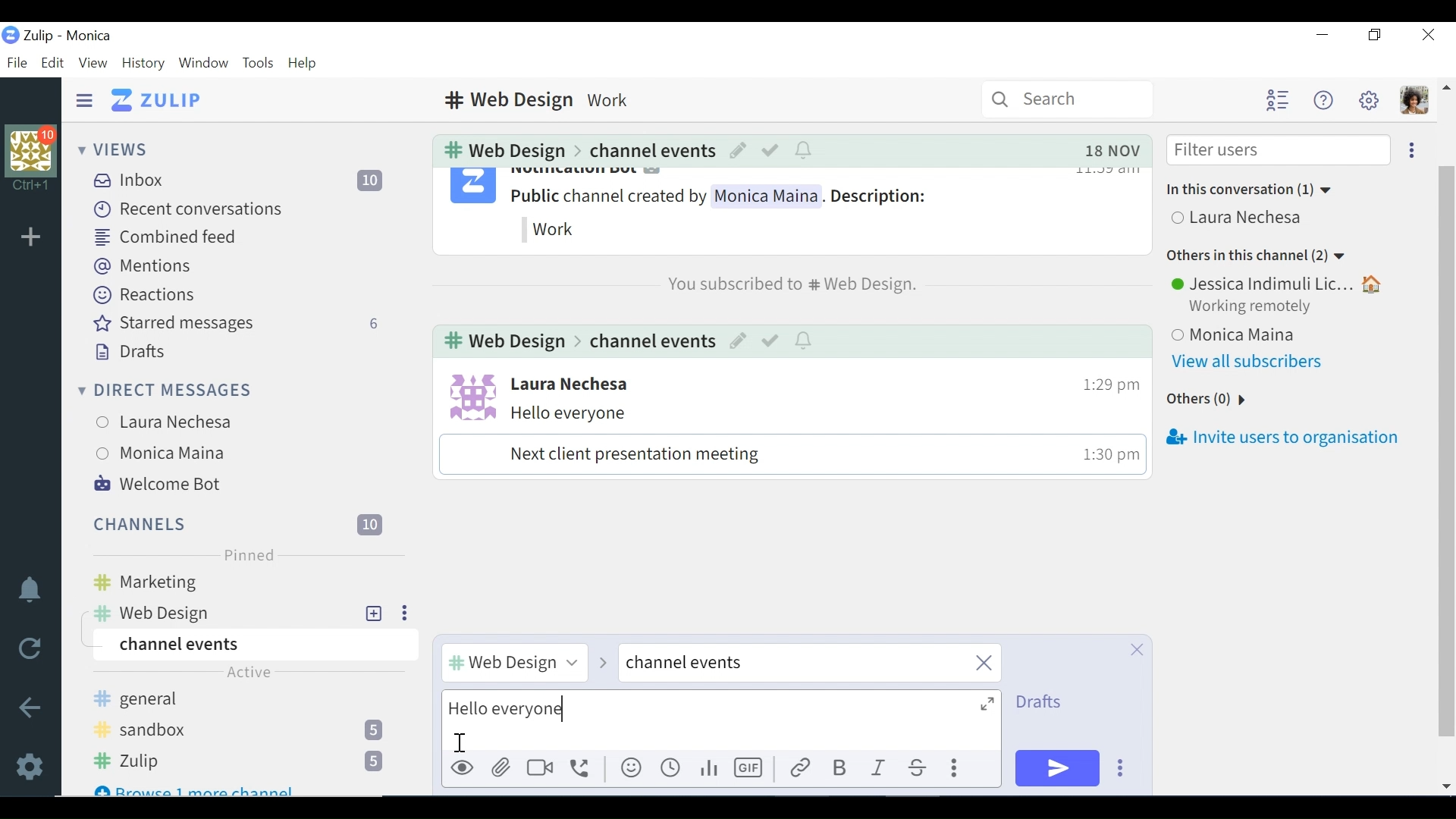  What do you see at coordinates (1376, 36) in the screenshot?
I see `Restore` at bounding box center [1376, 36].